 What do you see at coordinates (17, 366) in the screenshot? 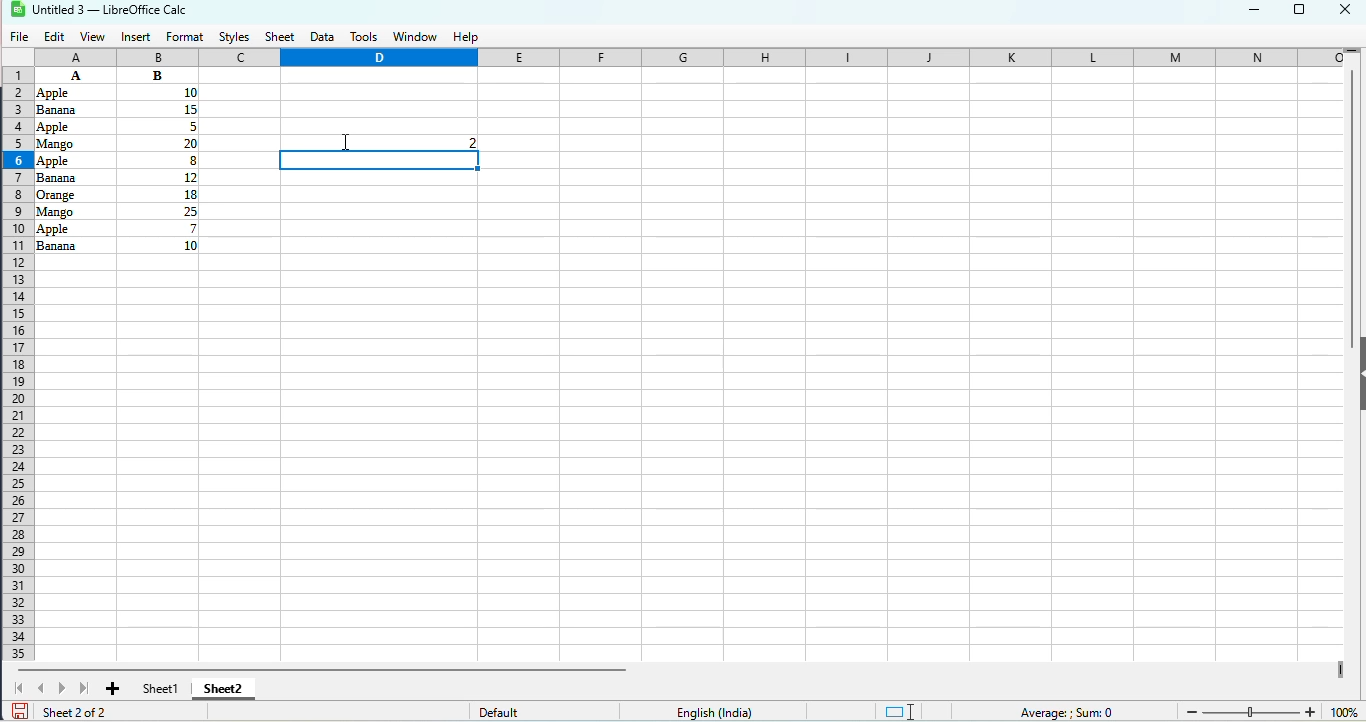
I see `rows` at bounding box center [17, 366].